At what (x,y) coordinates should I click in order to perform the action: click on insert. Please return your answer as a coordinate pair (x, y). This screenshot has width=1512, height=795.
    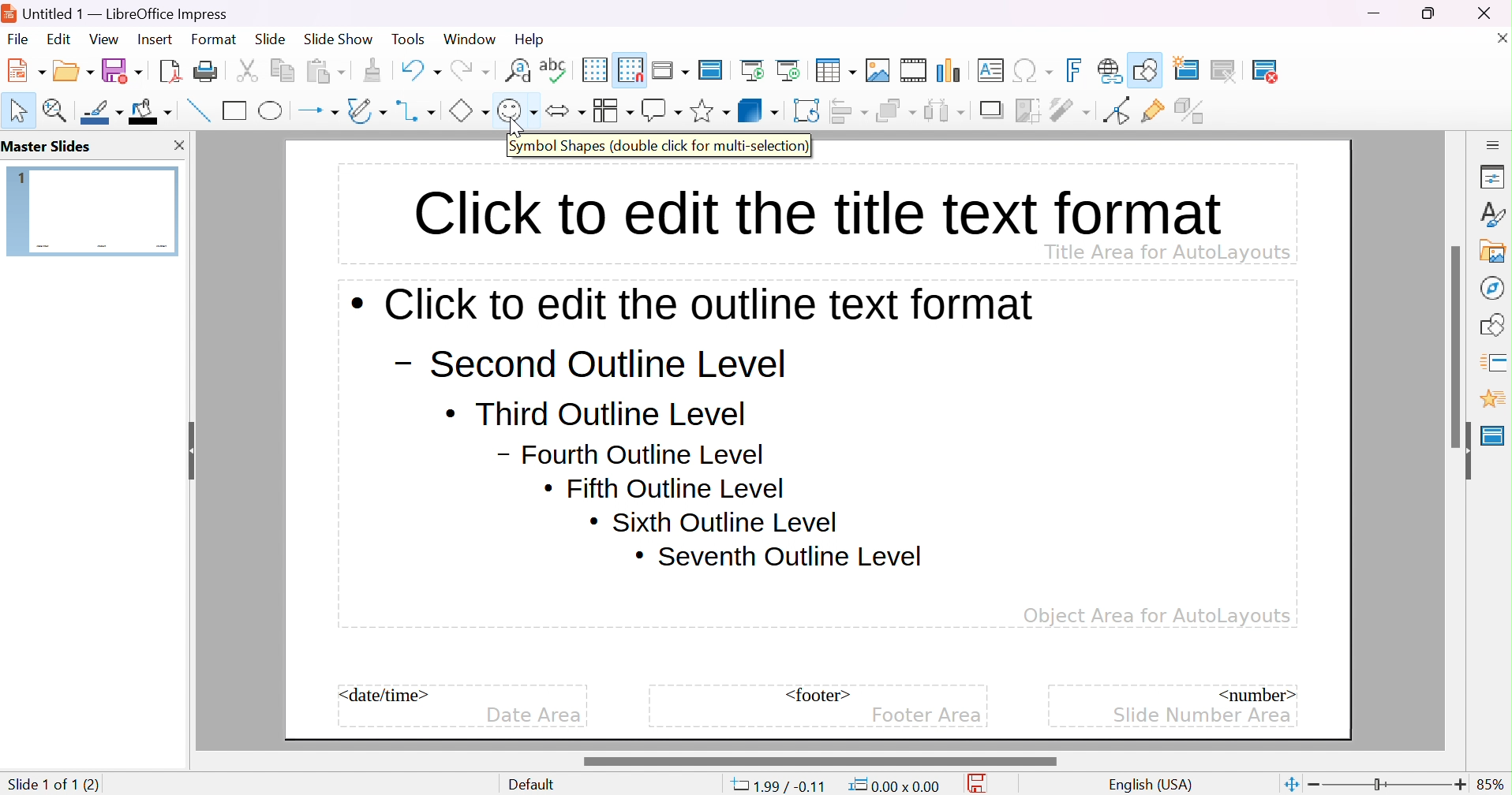
    Looking at the image, I should click on (153, 38).